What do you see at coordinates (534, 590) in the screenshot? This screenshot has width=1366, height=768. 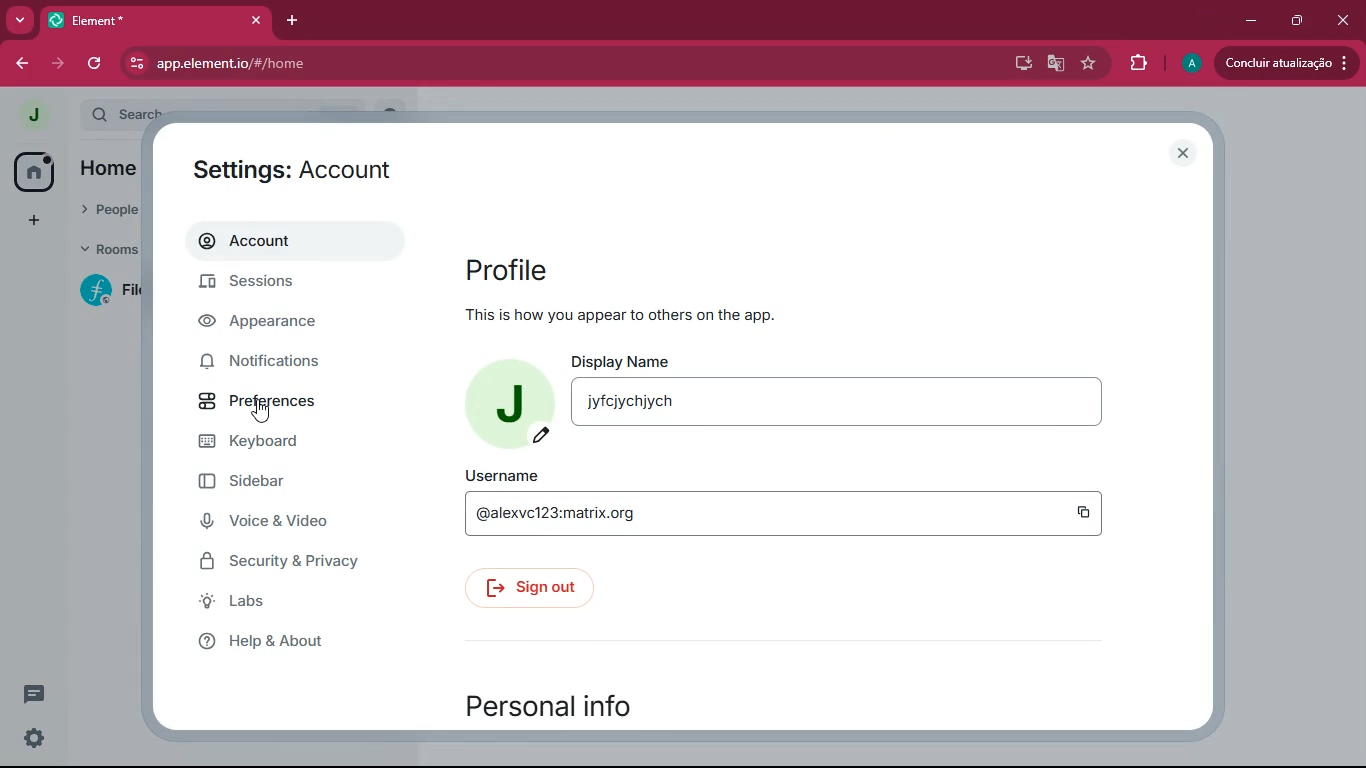 I see `sign out` at bounding box center [534, 590].